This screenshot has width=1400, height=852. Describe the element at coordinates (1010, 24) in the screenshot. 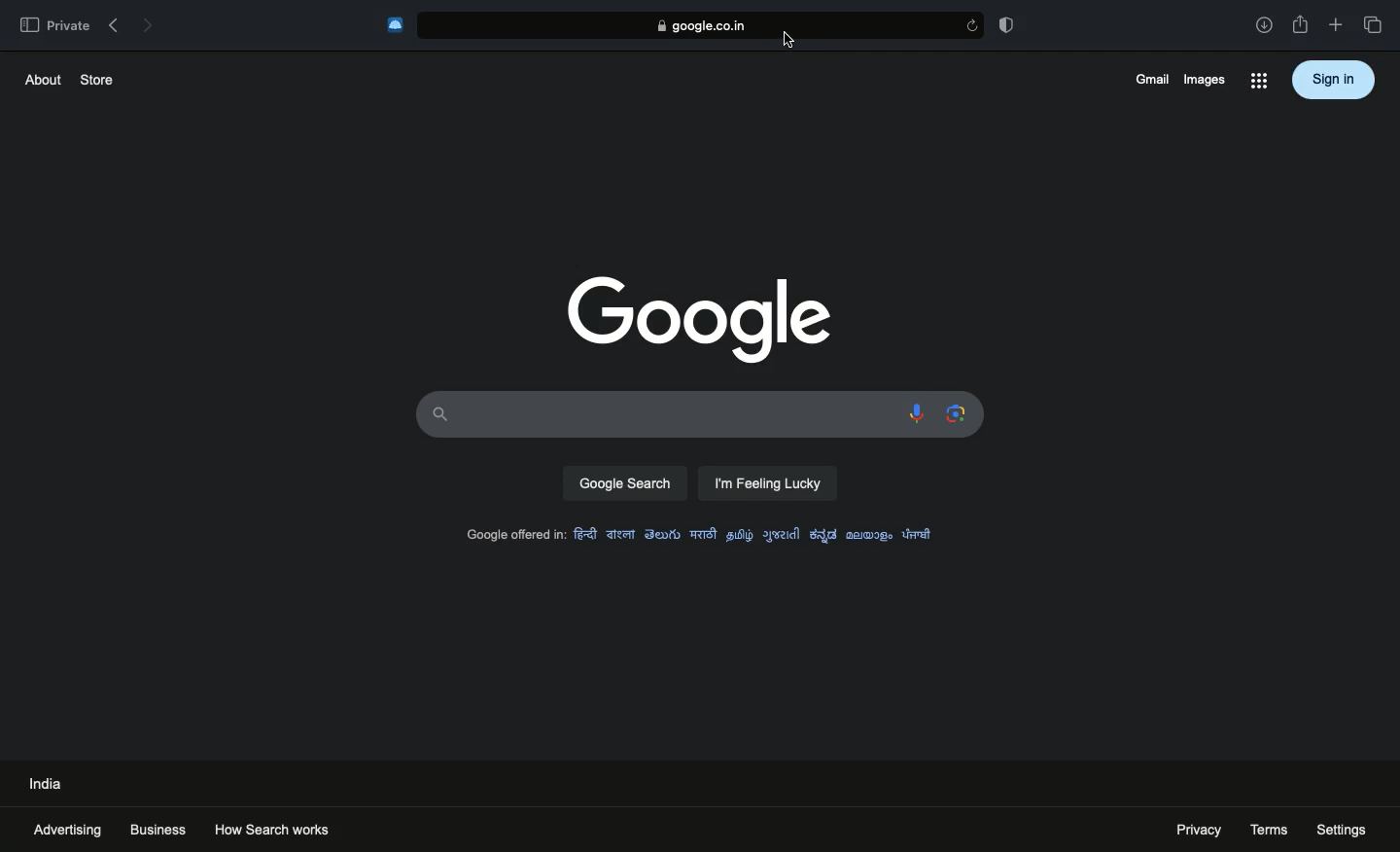

I see `badge` at that location.